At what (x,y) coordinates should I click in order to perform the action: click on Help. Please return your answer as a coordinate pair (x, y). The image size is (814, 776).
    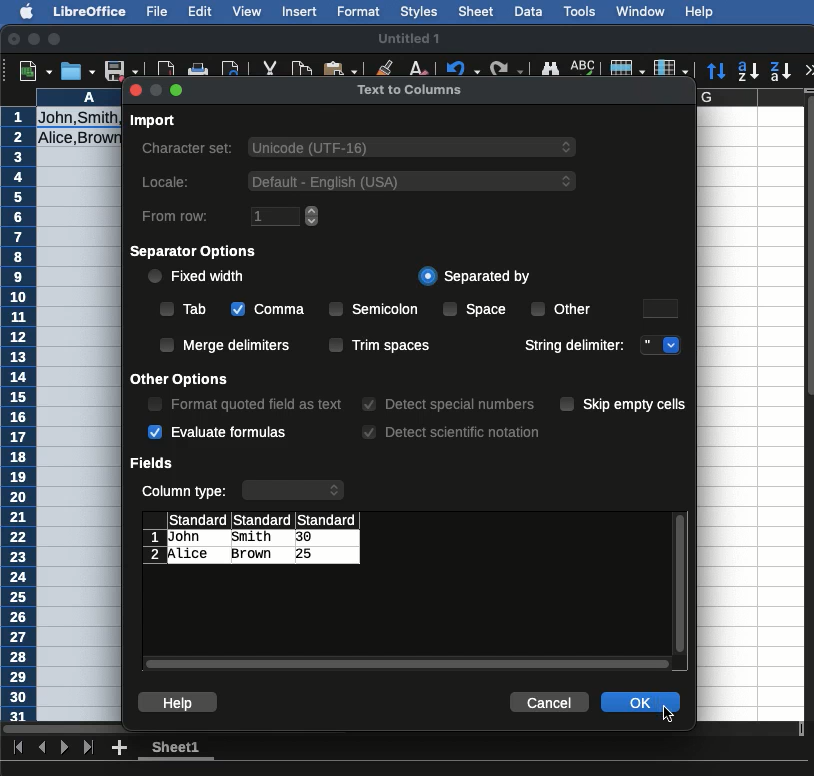
    Looking at the image, I should click on (701, 11).